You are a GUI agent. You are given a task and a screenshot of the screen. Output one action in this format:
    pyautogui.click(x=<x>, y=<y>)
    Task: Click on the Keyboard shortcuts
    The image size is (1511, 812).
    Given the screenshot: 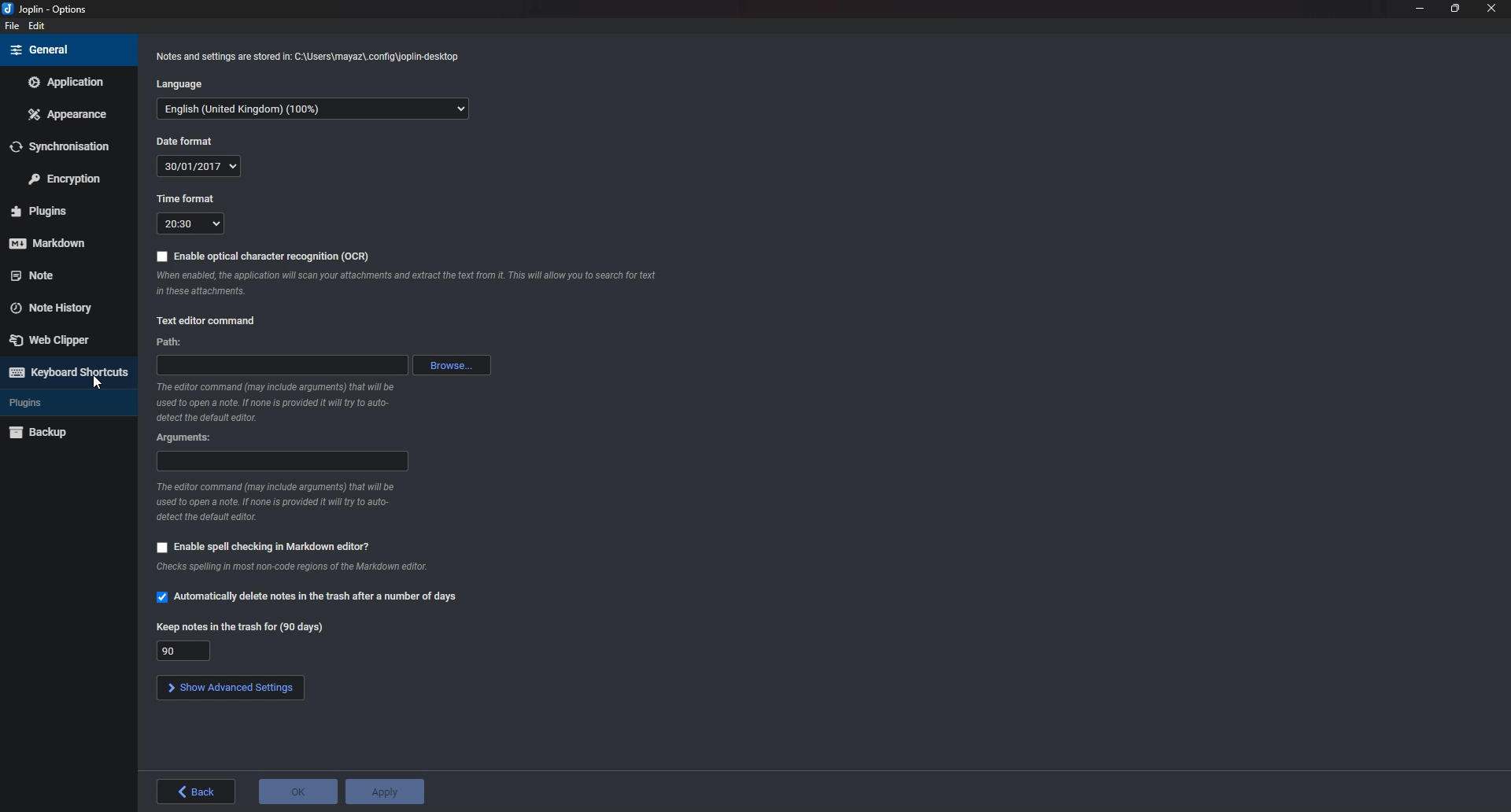 What is the action you would take?
    pyautogui.click(x=66, y=372)
    